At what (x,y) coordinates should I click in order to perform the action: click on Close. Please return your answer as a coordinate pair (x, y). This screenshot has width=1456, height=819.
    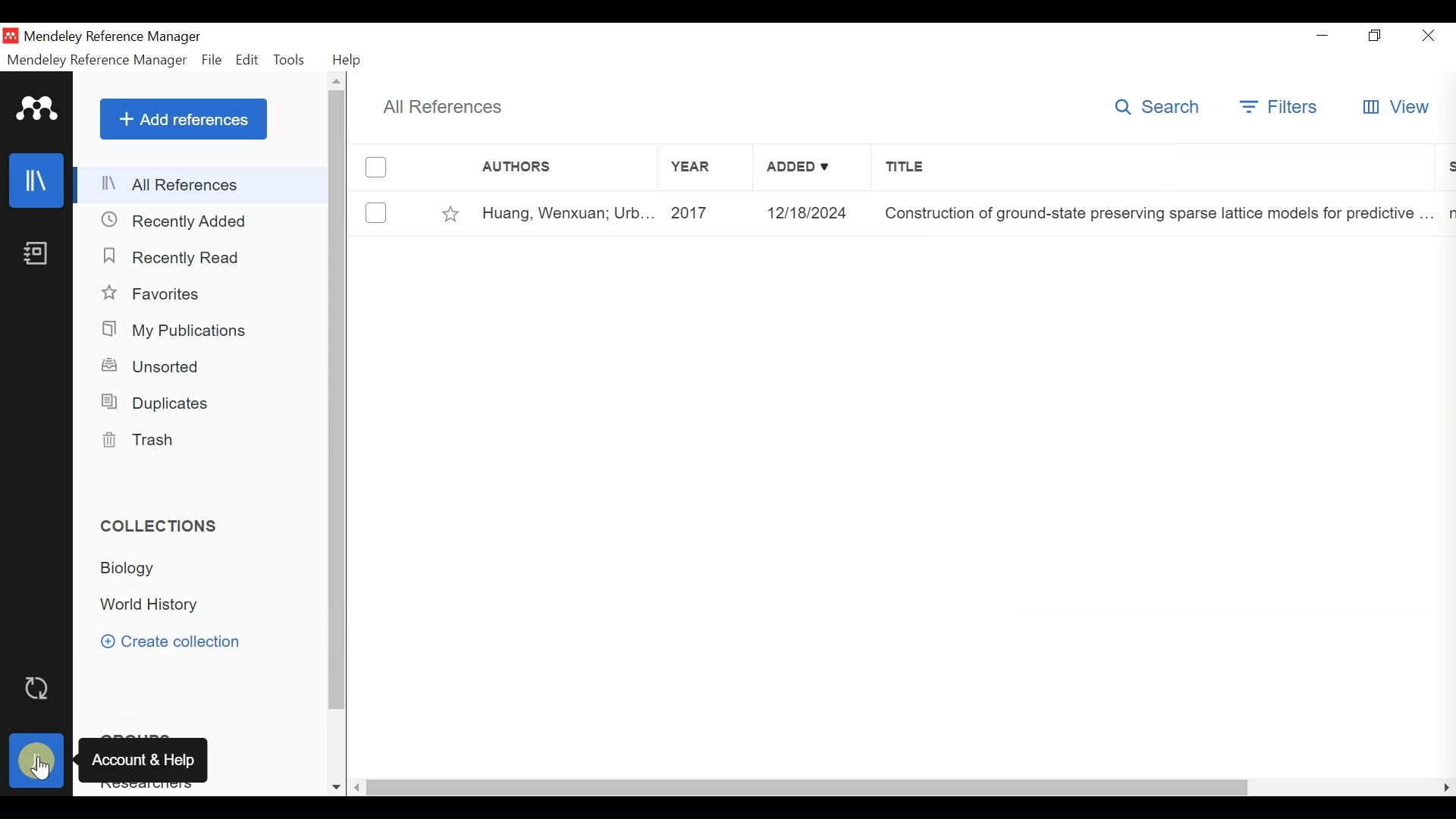
    Looking at the image, I should click on (1428, 37).